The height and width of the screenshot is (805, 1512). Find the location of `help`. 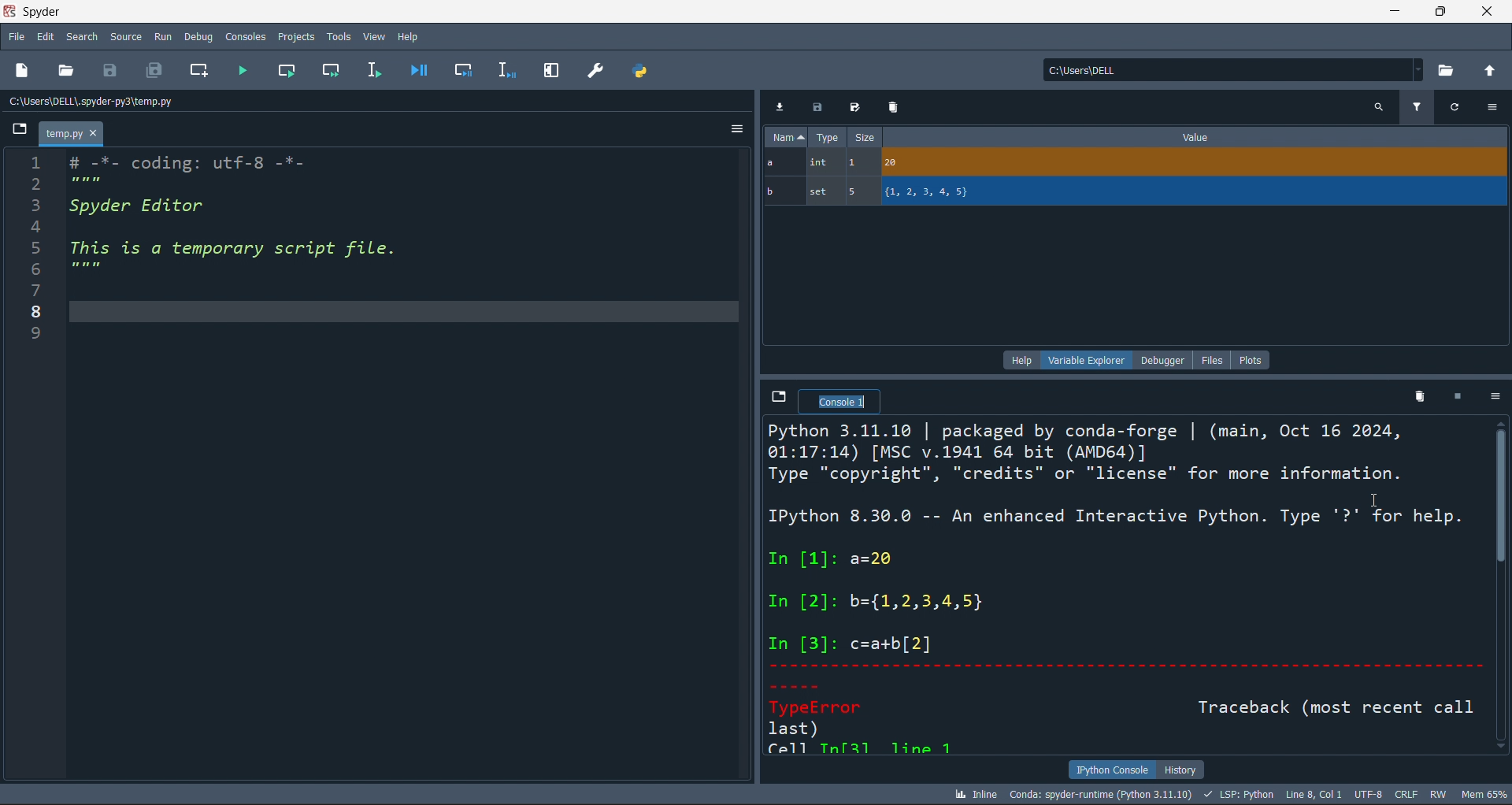

help is located at coordinates (409, 34).